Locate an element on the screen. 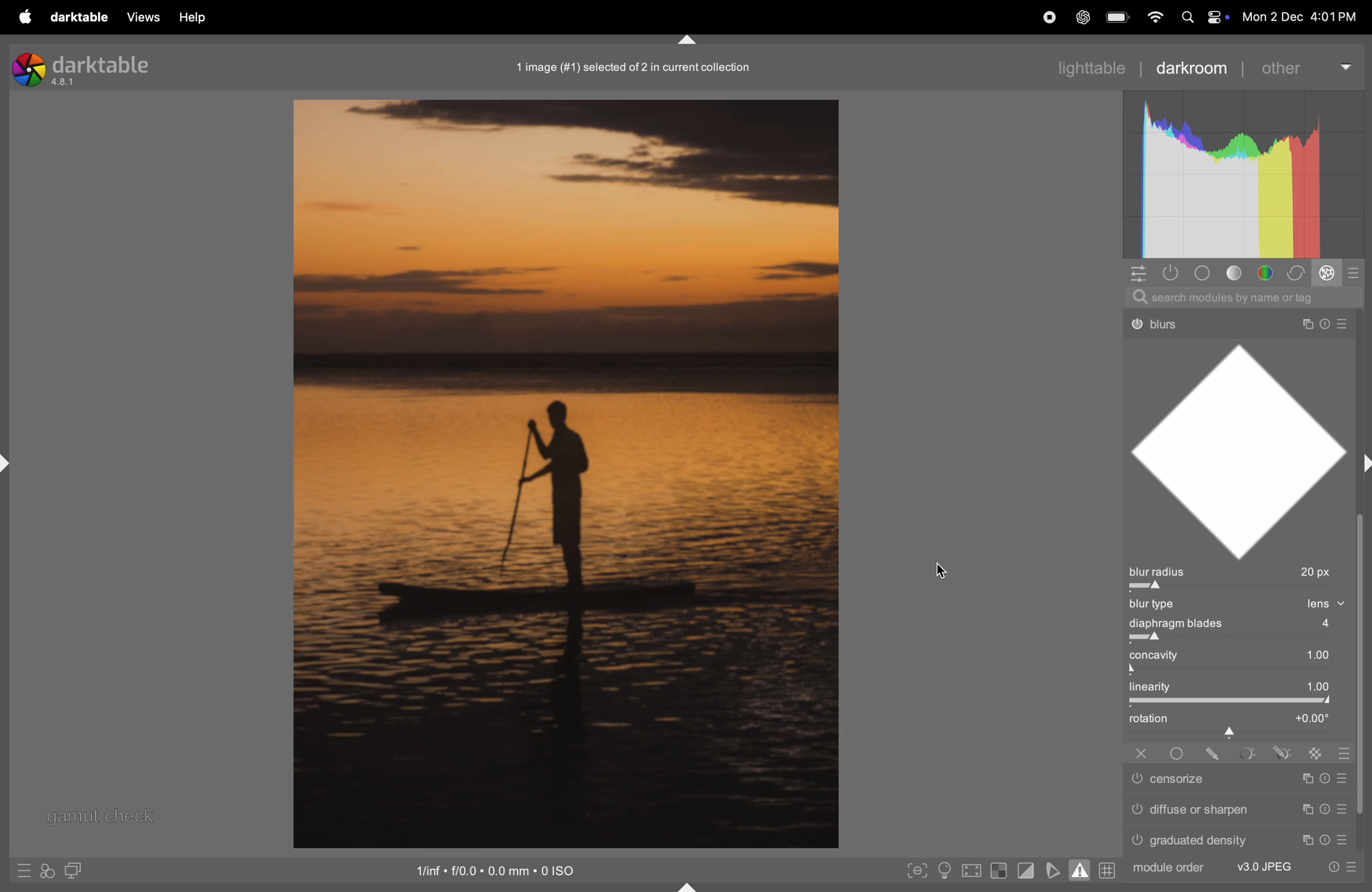  apple menu is located at coordinates (27, 17).